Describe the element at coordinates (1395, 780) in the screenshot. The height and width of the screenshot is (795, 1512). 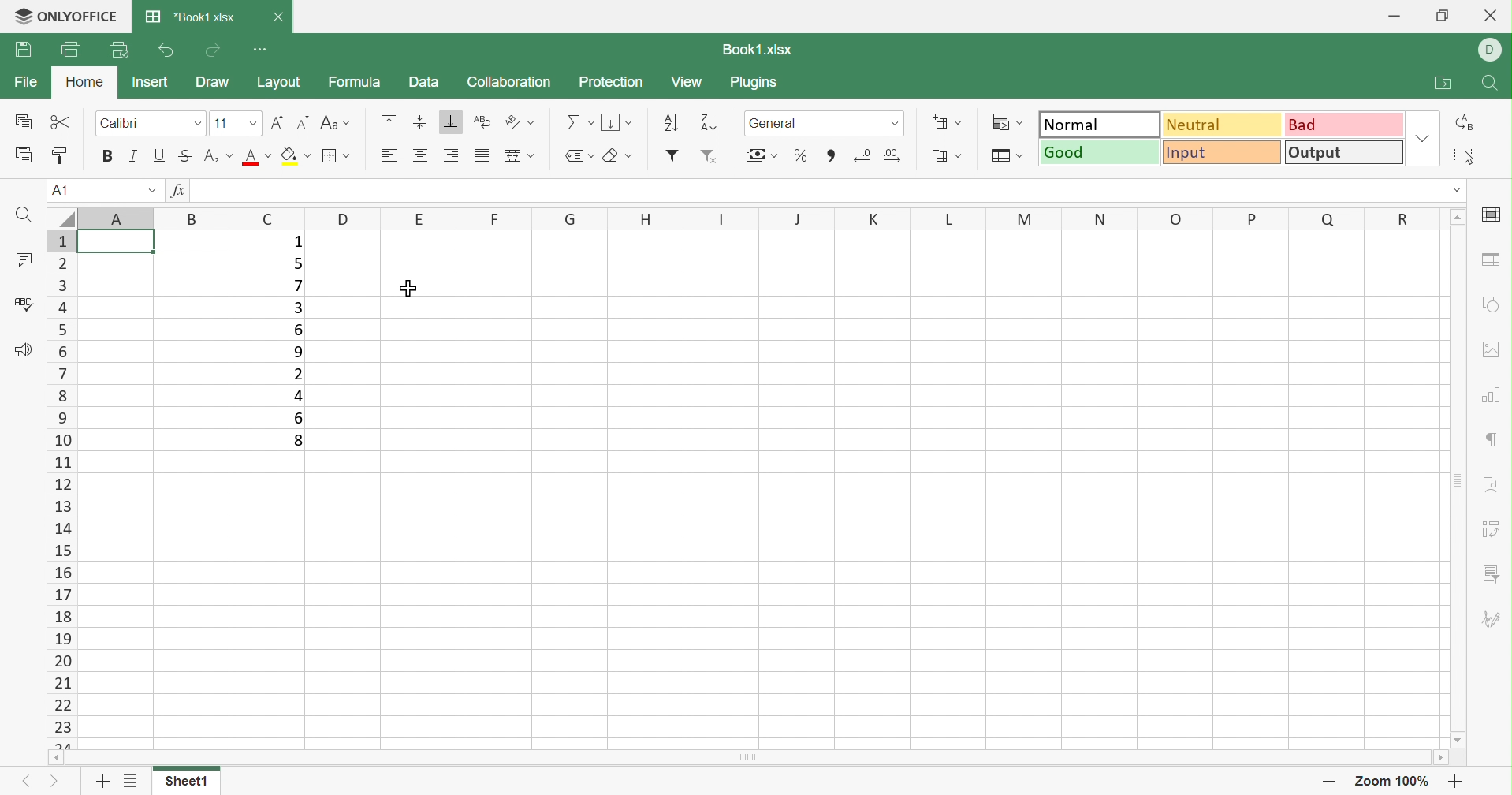
I see `Zoom 100%` at that location.